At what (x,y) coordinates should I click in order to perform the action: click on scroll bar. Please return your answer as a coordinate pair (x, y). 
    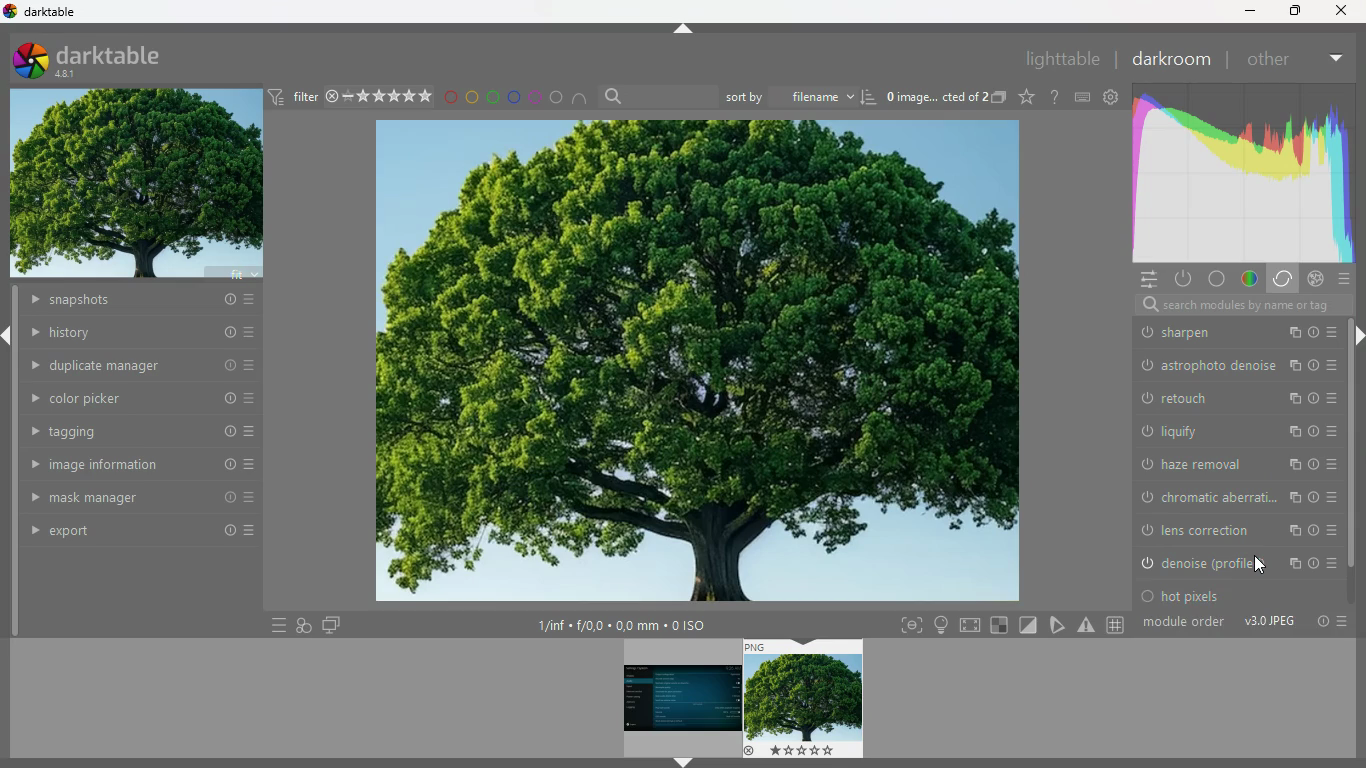
    Looking at the image, I should click on (1357, 490).